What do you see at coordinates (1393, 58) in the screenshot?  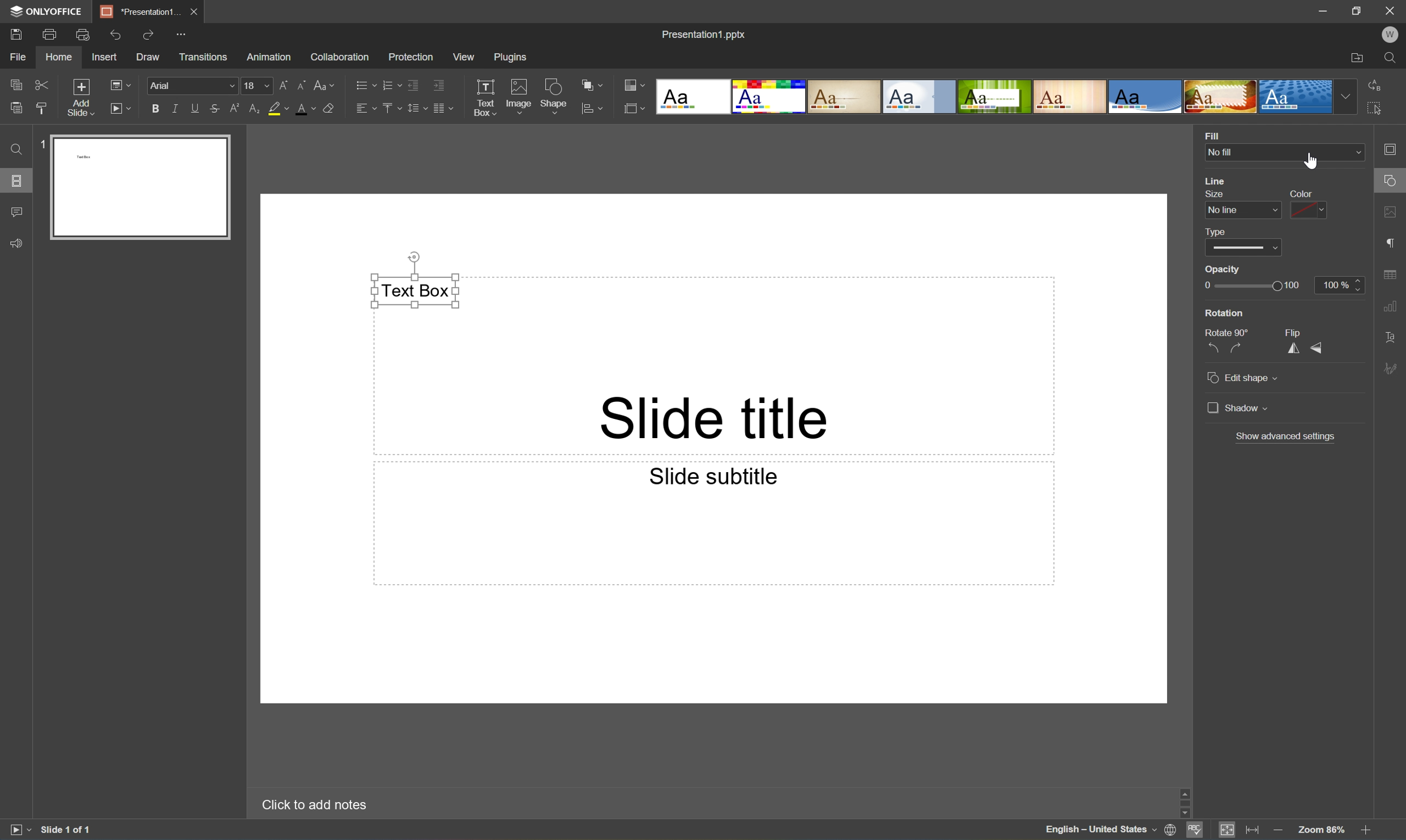 I see `Find` at bounding box center [1393, 58].